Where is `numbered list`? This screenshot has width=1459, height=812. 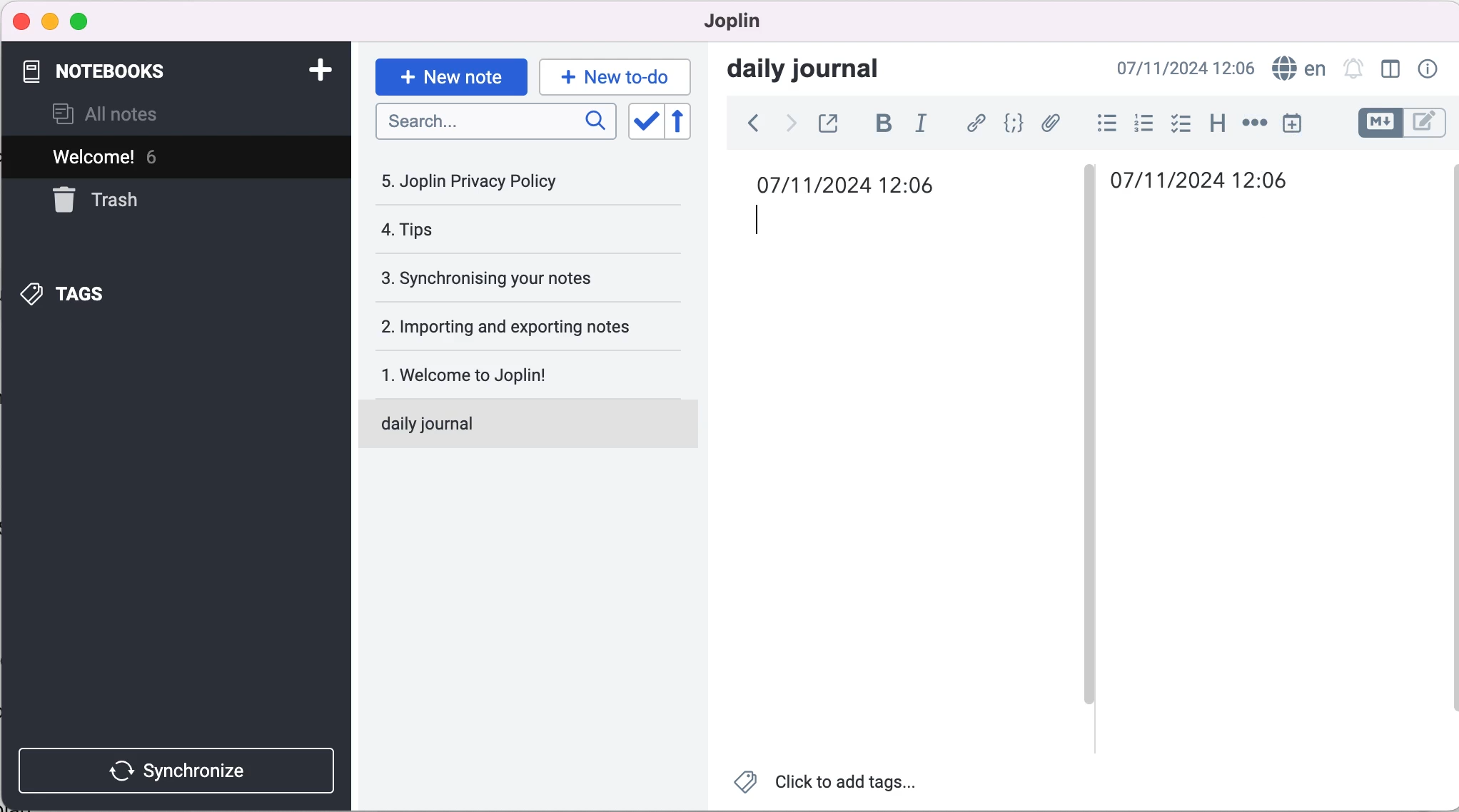
numbered list is located at coordinates (1139, 123).